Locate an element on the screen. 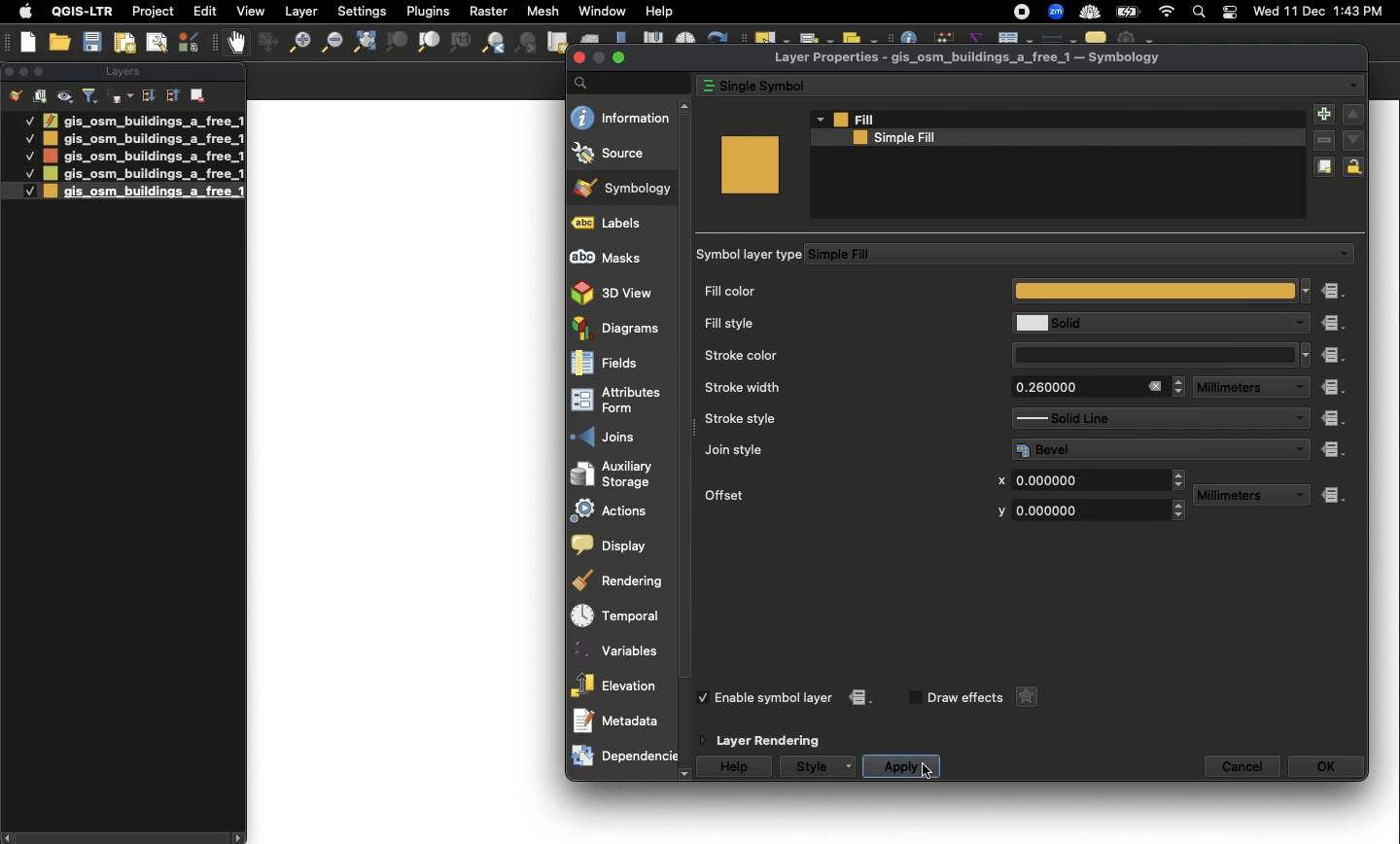 The width and height of the screenshot is (1400, 844). Joins is located at coordinates (618, 436).